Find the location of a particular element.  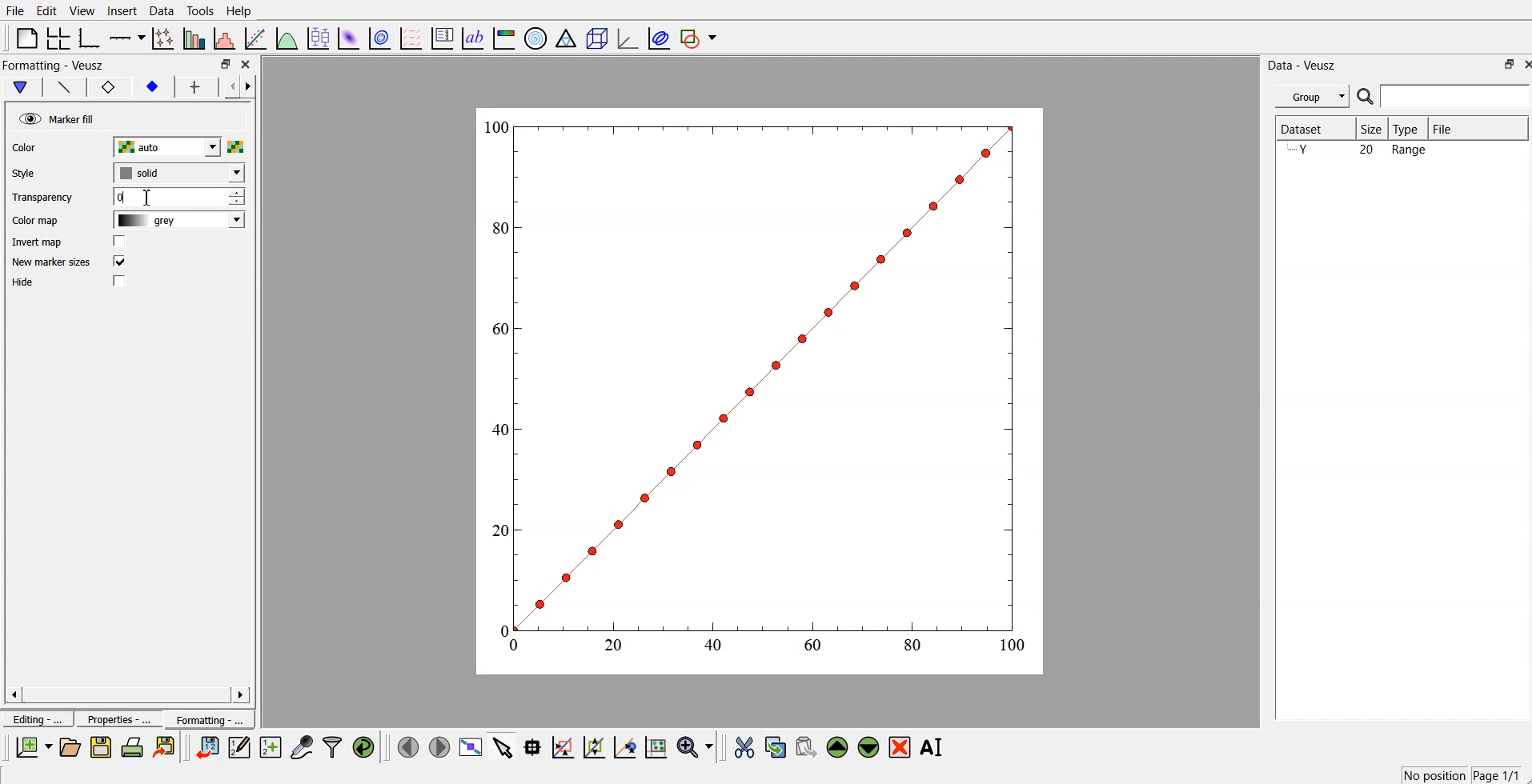

Transparency is located at coordinates (42, 198).